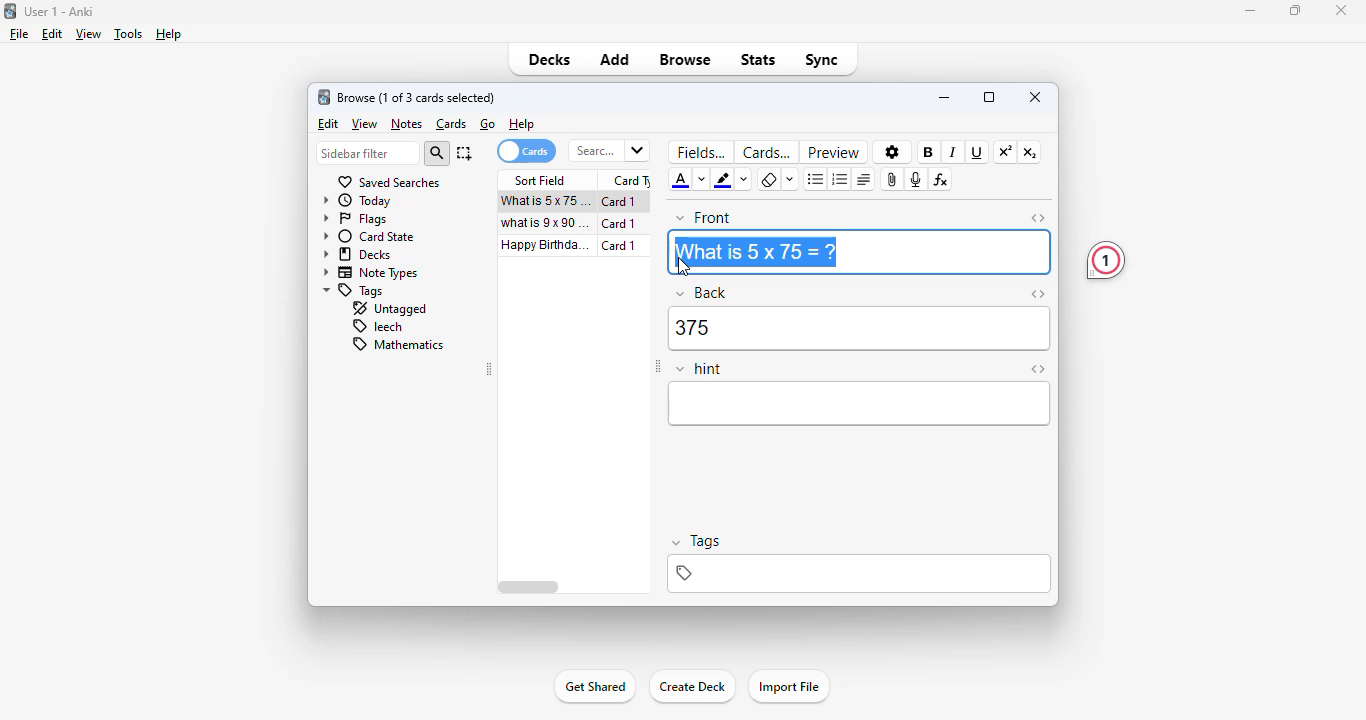 The image size is (1366, 720). I want to click on bold, so click(929, 152).